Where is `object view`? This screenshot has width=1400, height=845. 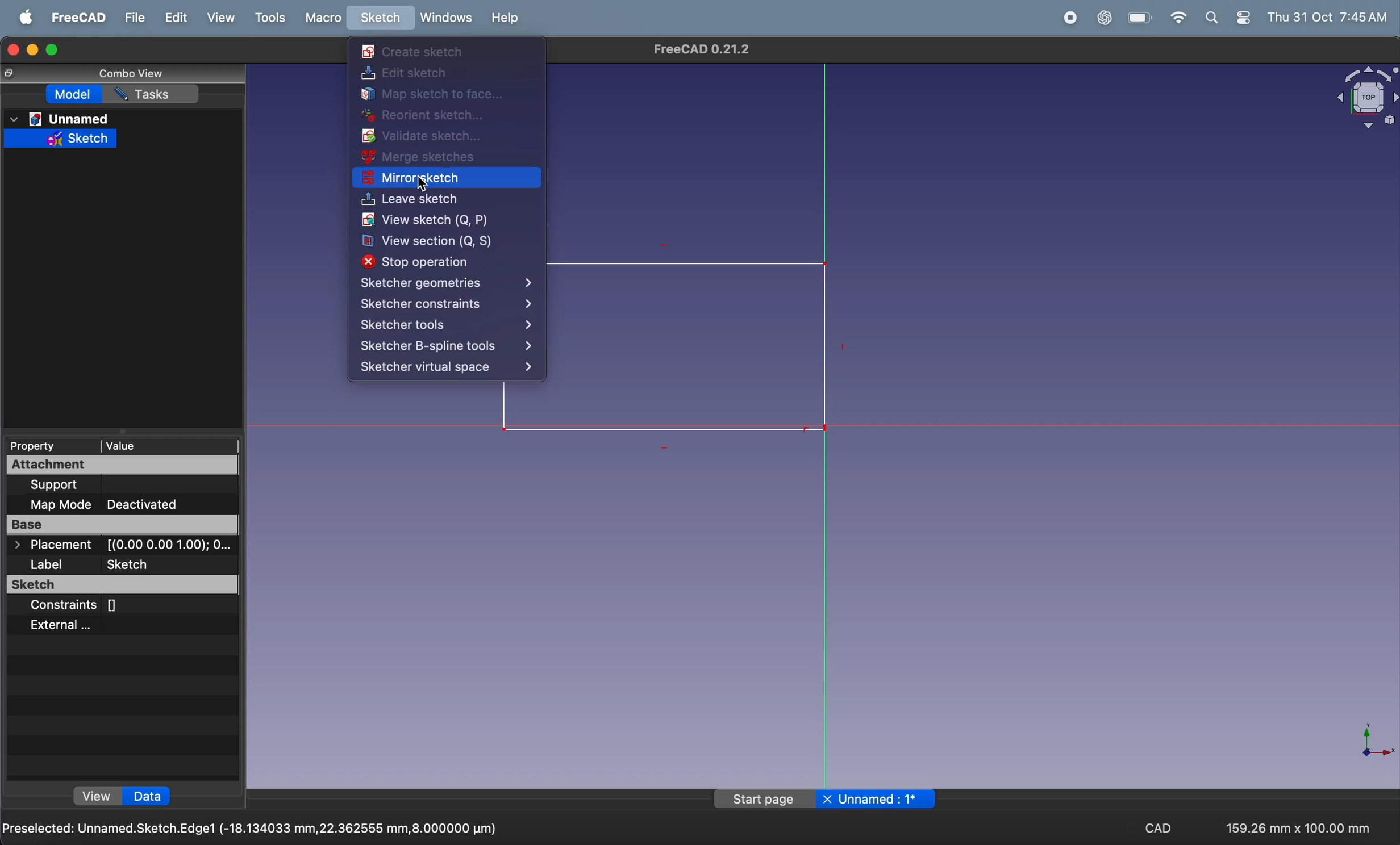 object view is located at coordinates (1360, 99).